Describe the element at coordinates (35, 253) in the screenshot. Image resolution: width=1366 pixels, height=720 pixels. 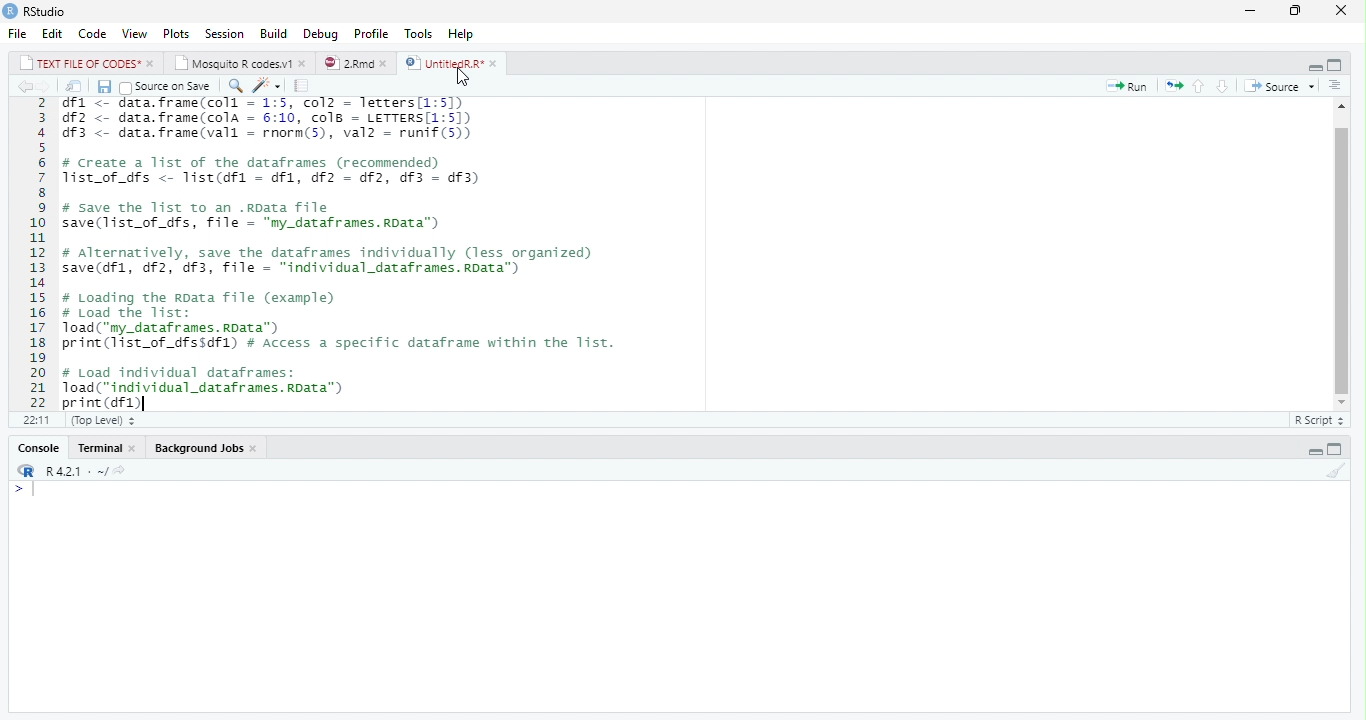
I see `Line number` at that location.